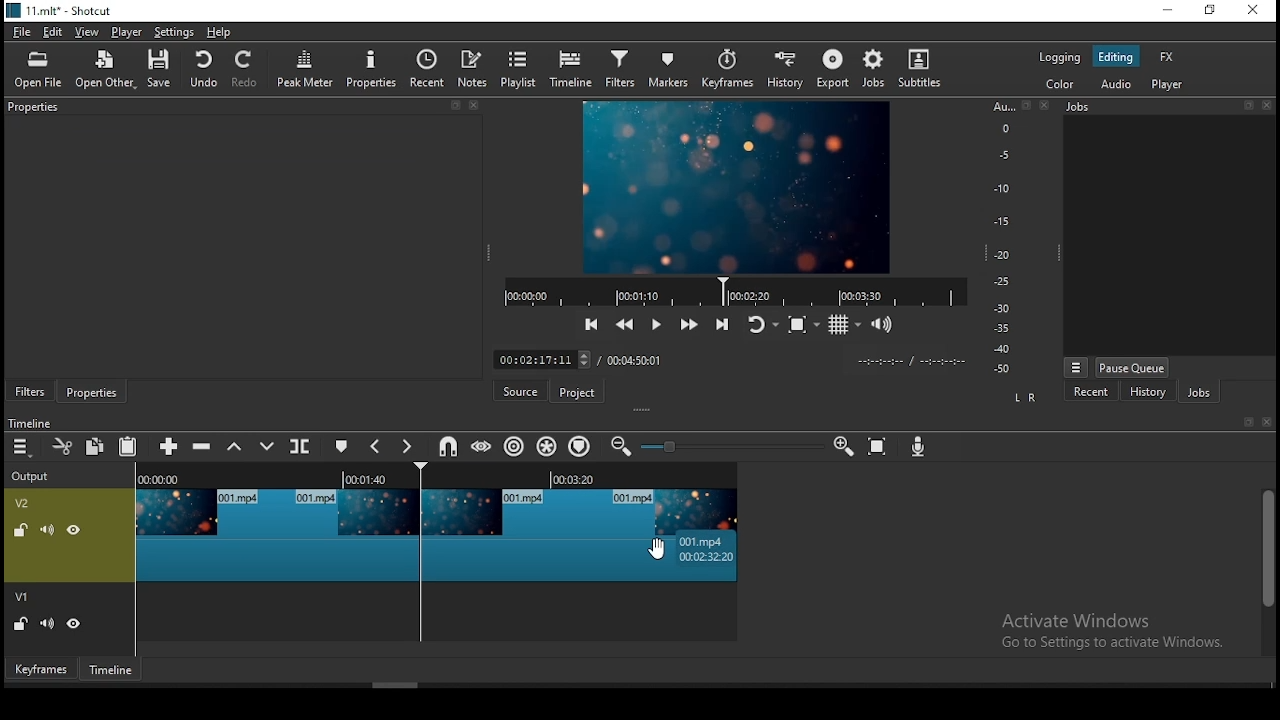  What do you see at coordinates (113, 669) in the screenshot?
I see `timeline` at bounding box center [113, 669].